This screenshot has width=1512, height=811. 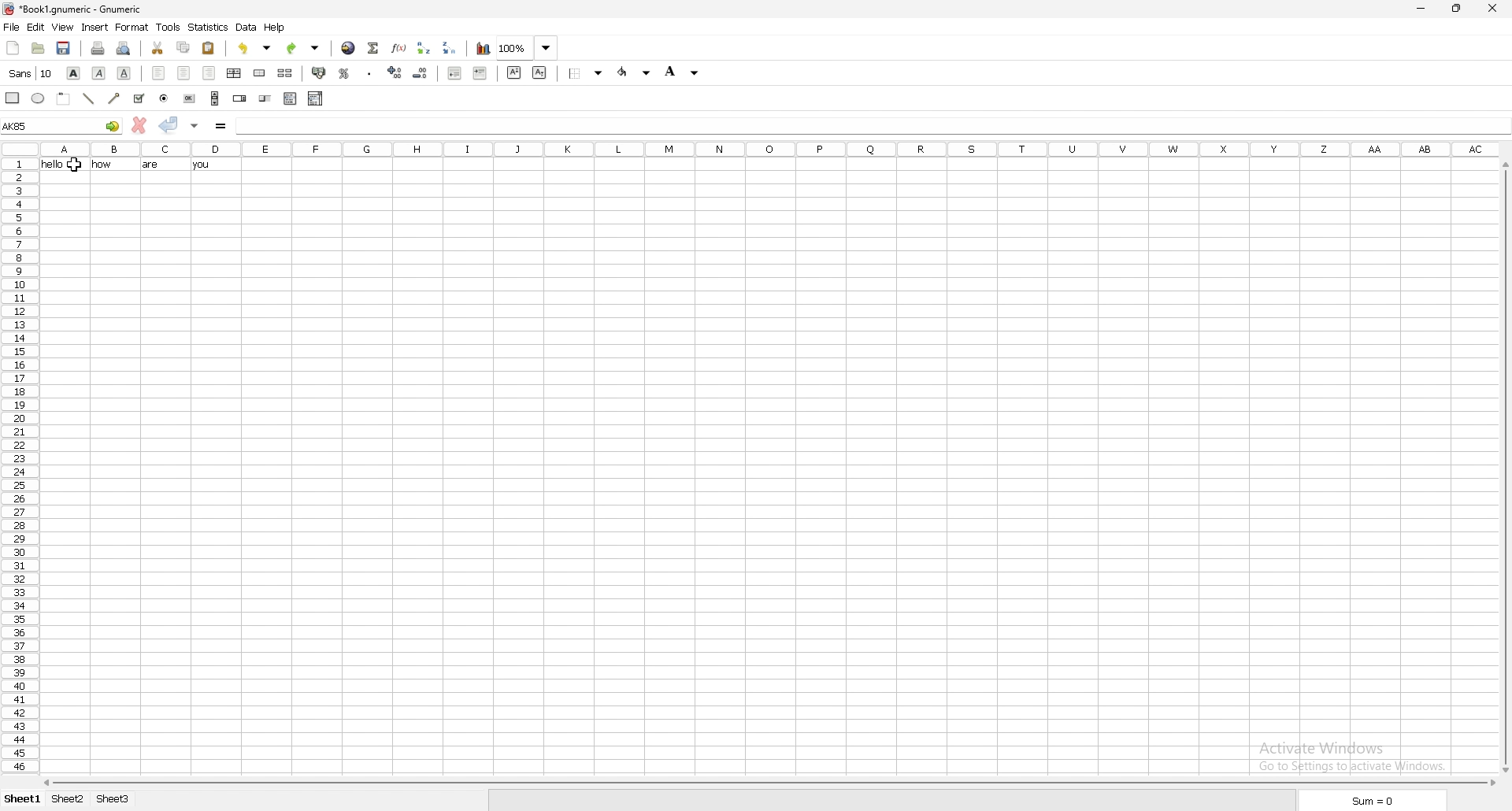 I want to click on left align, so click(x=159, y=73).